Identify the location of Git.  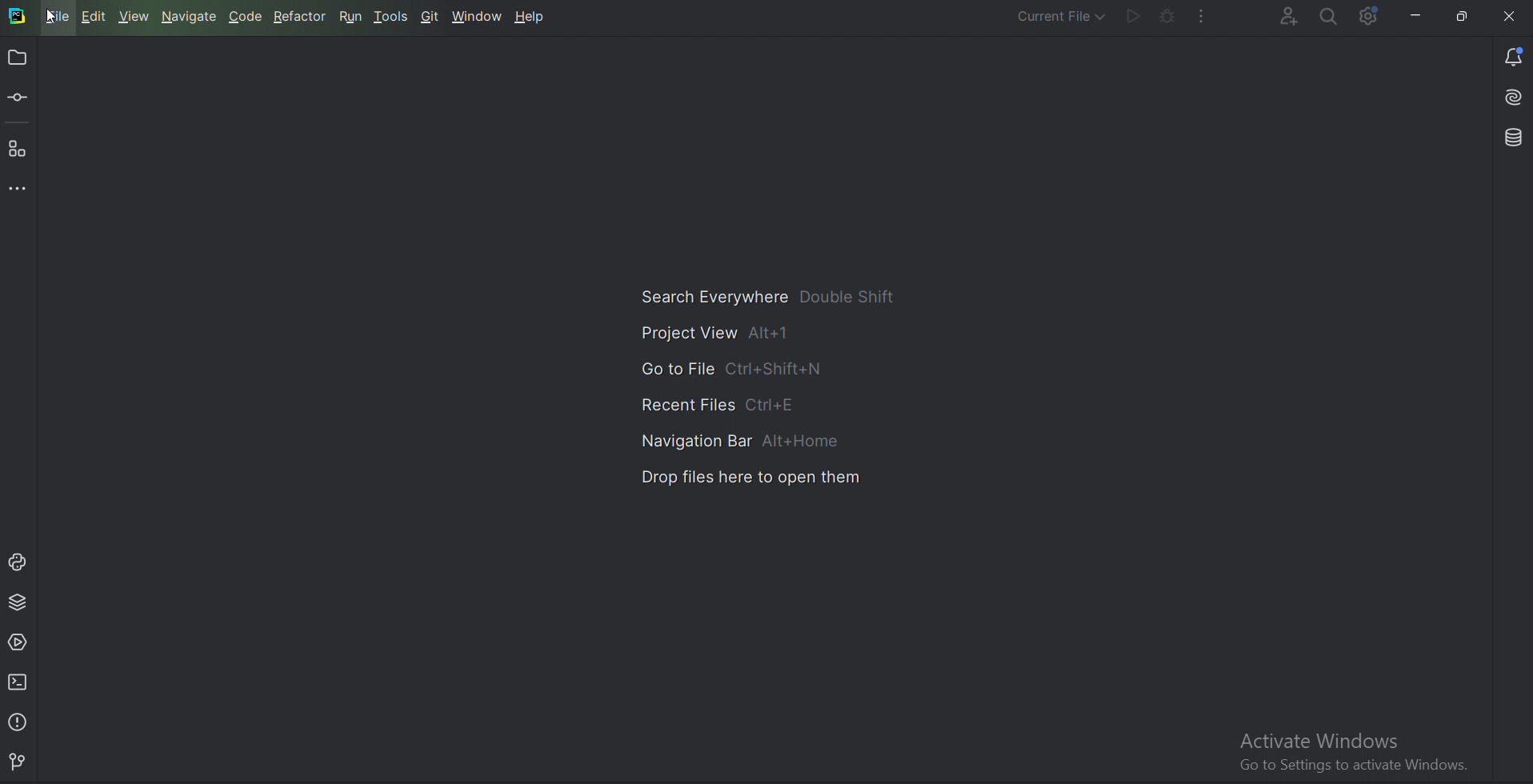
(23, 760).